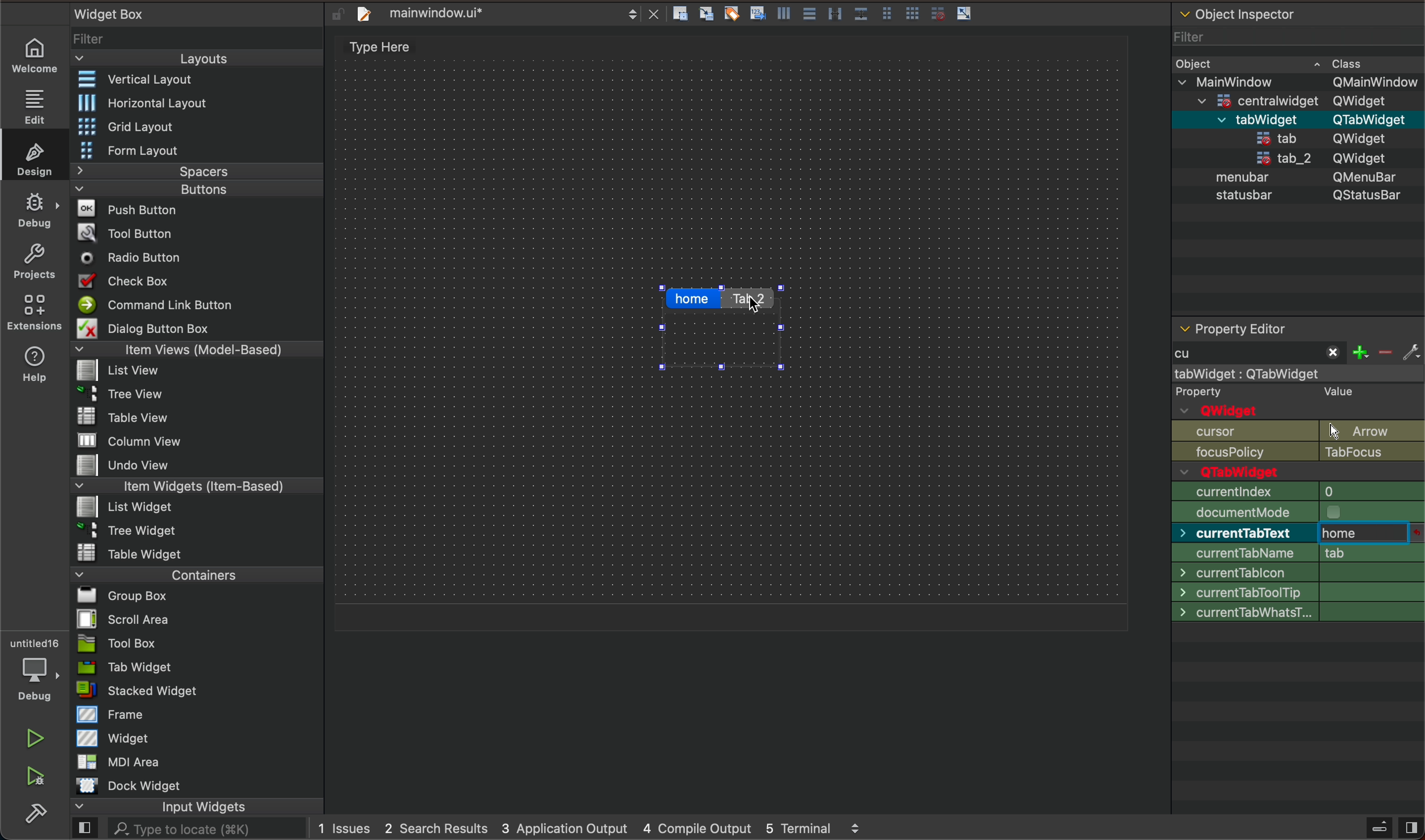 Image resolution: width=1425 pixels, height=840 pixels. Describe the element at coordinates (42, 777) in the screenshot. I see `run and debuh` at that location.